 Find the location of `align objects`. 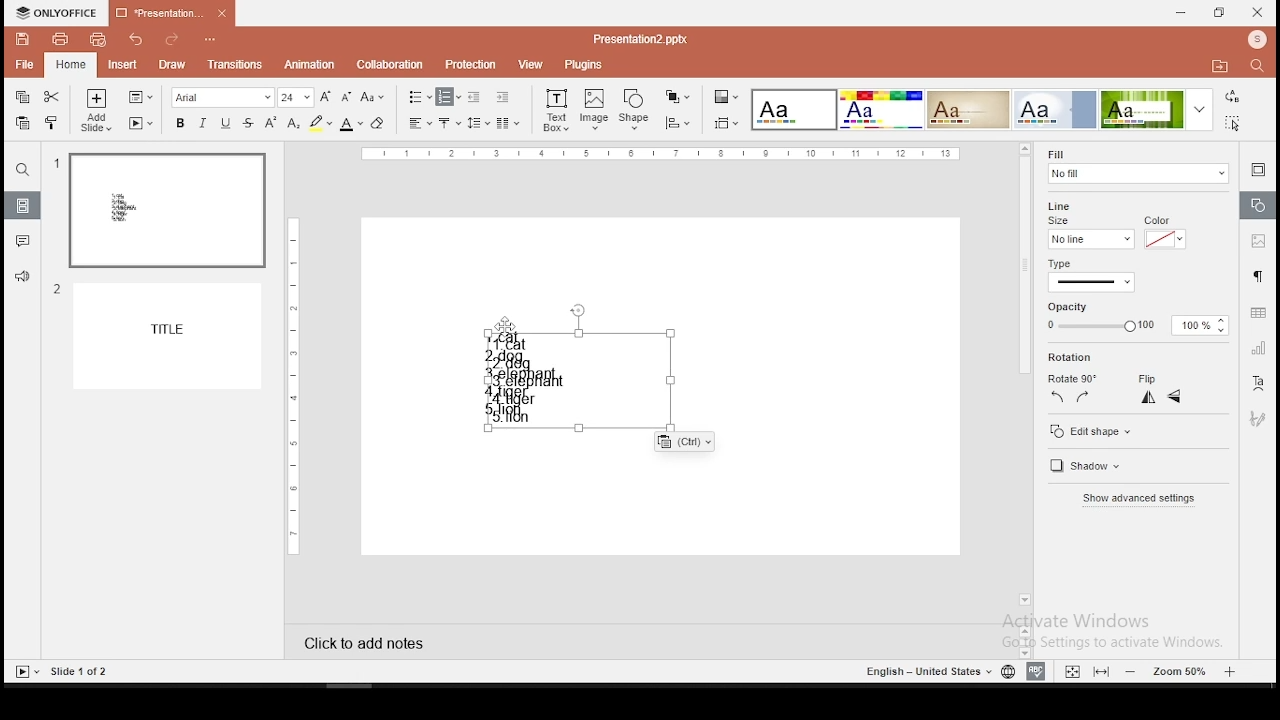

align objects is located at coordinates (676, 123).